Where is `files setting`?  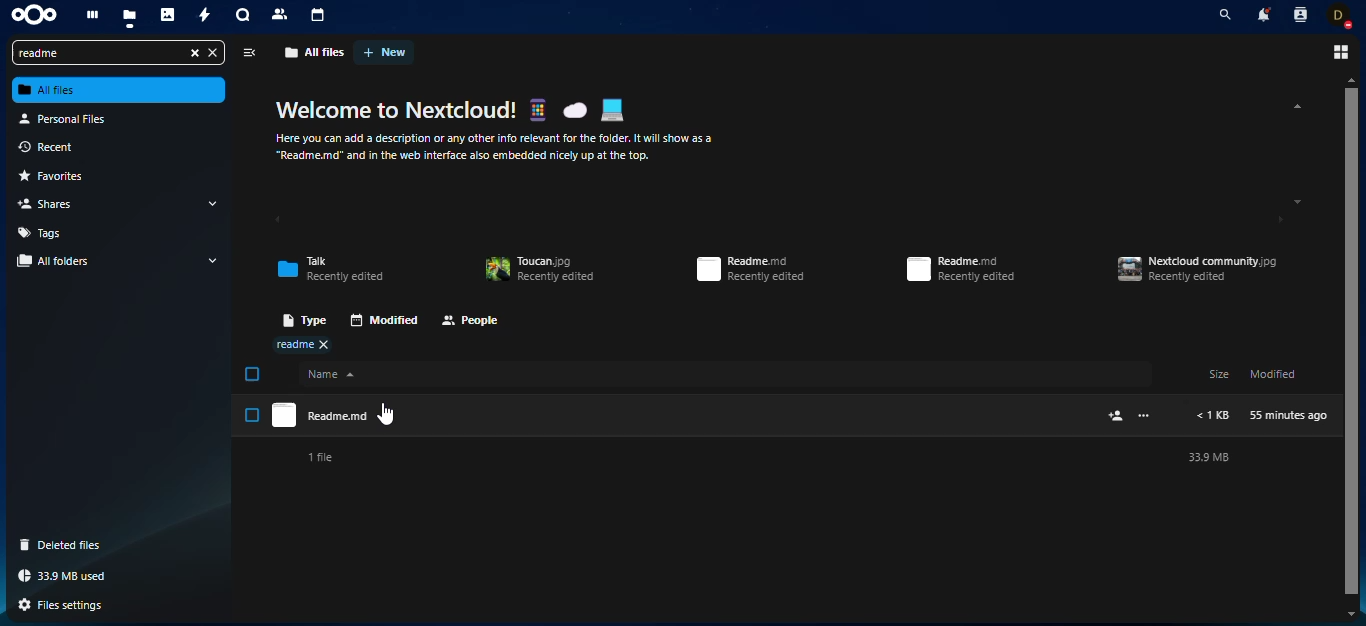
files setting is located at coordinates (67, 606).